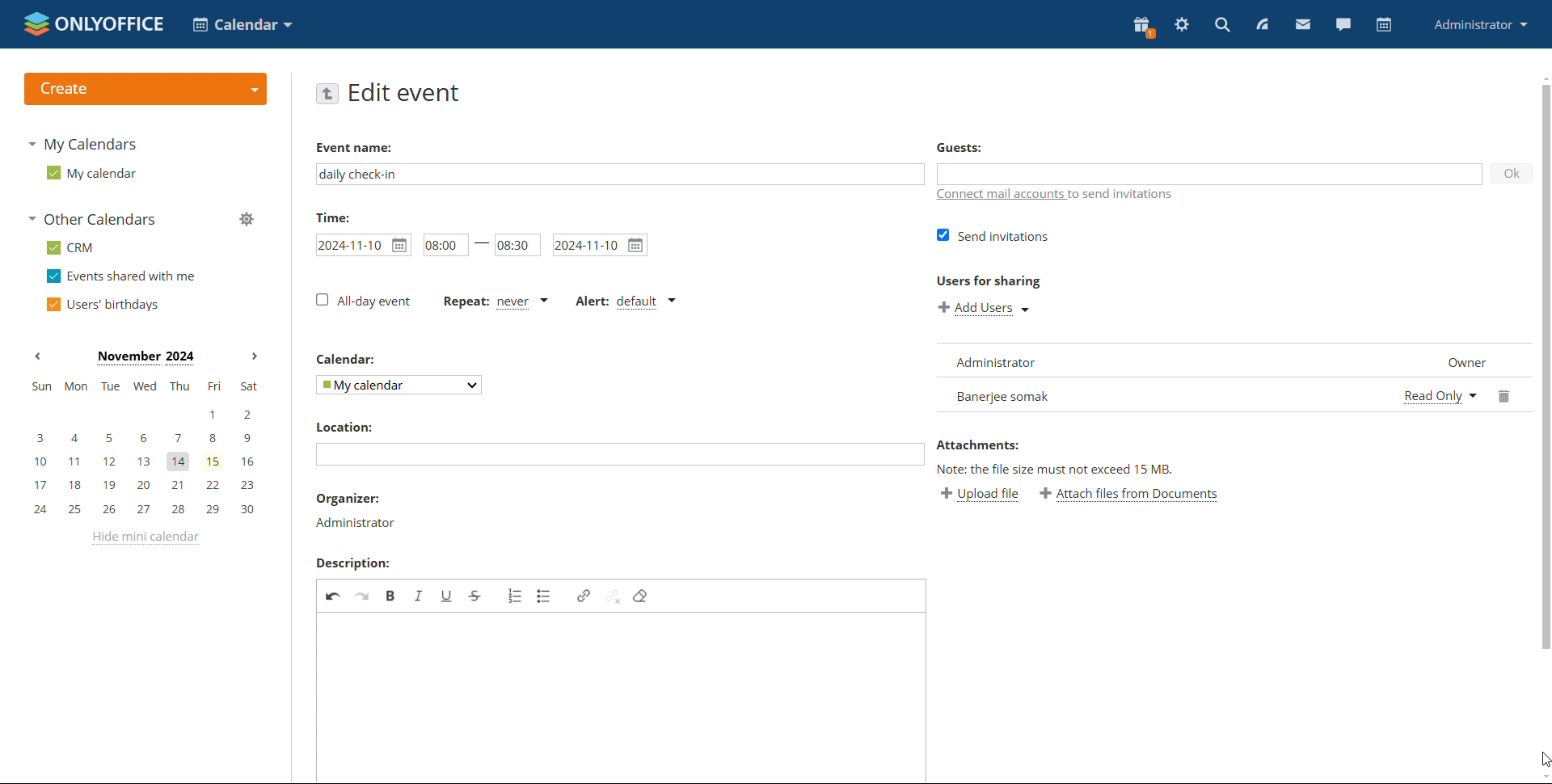 This screenshot has height=784, width=1552. Describe the element at coordinates (94, 23) in the screenshot. I see `logo` at that location.